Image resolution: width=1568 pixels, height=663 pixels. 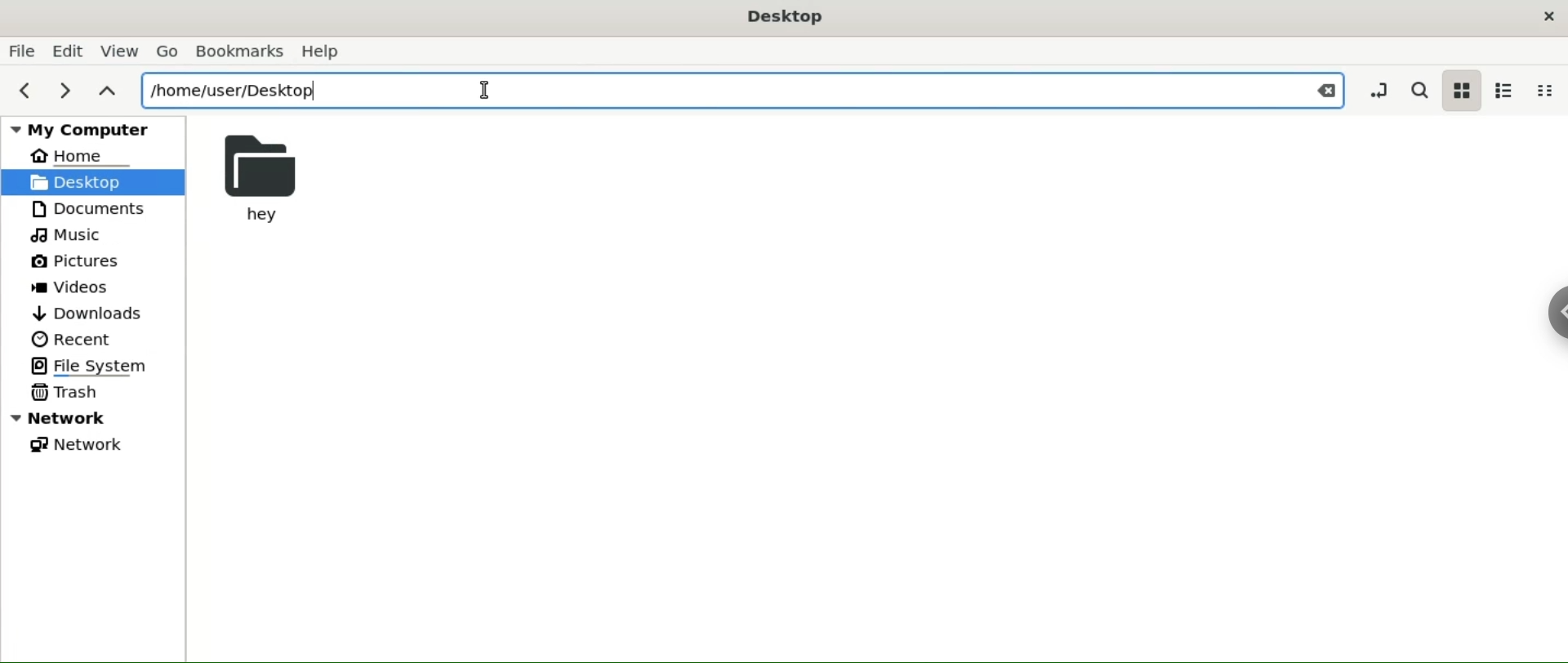 I want to click on go, so click(x=170, y=51).